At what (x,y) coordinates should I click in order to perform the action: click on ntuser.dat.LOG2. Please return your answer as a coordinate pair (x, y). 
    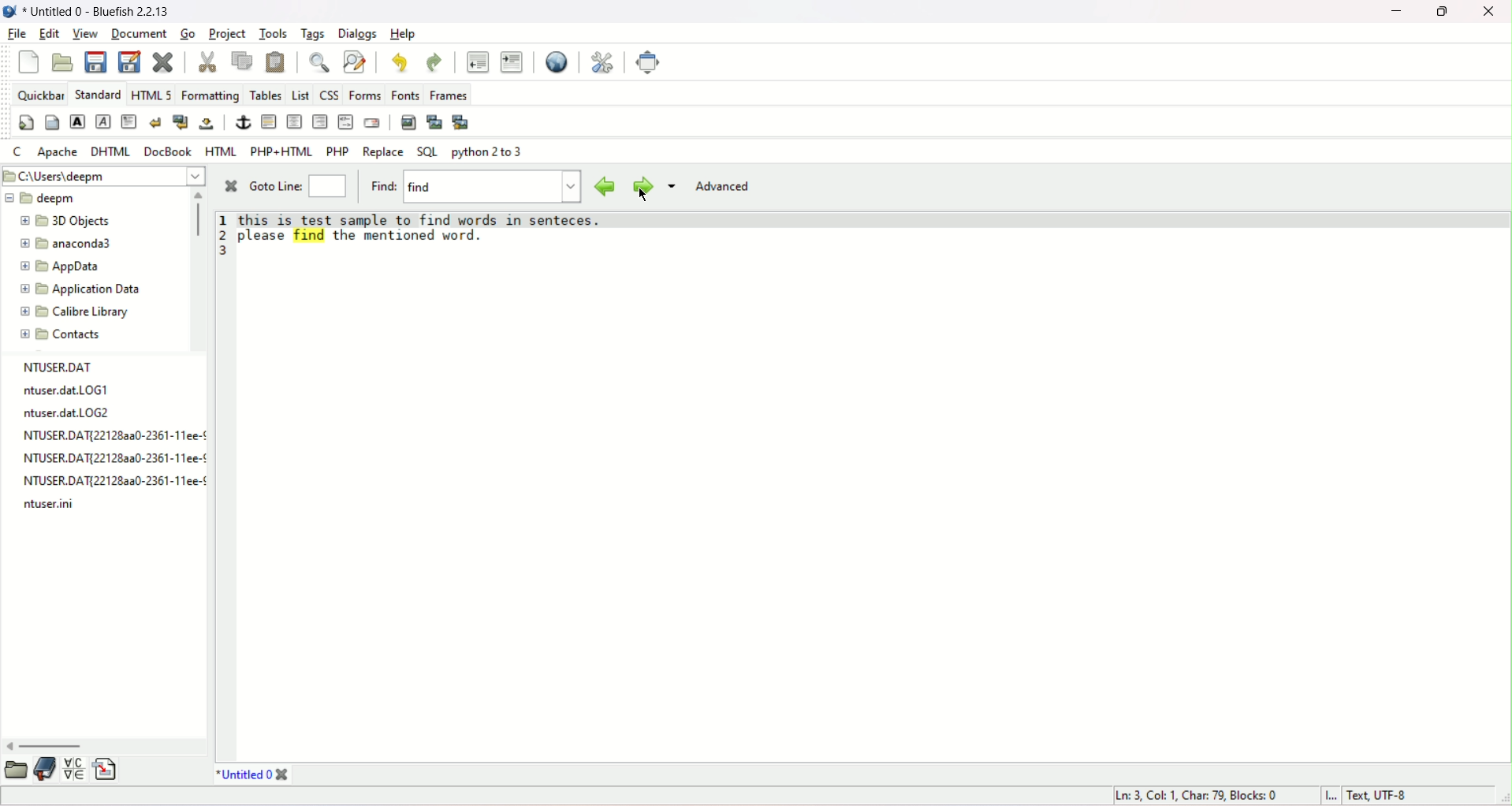
    Looking at the image, I should click on (73, 412).